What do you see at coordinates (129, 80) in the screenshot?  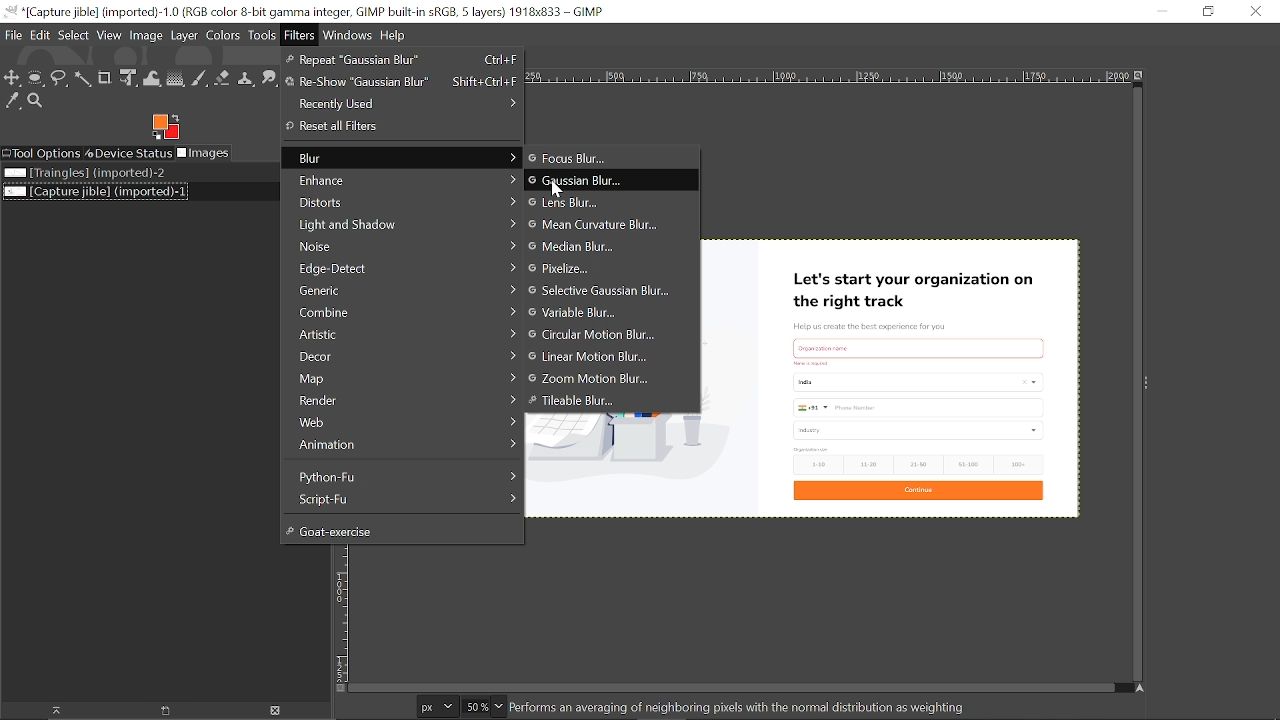 I see `Unified transform tool` at bounding box center [129, 80].